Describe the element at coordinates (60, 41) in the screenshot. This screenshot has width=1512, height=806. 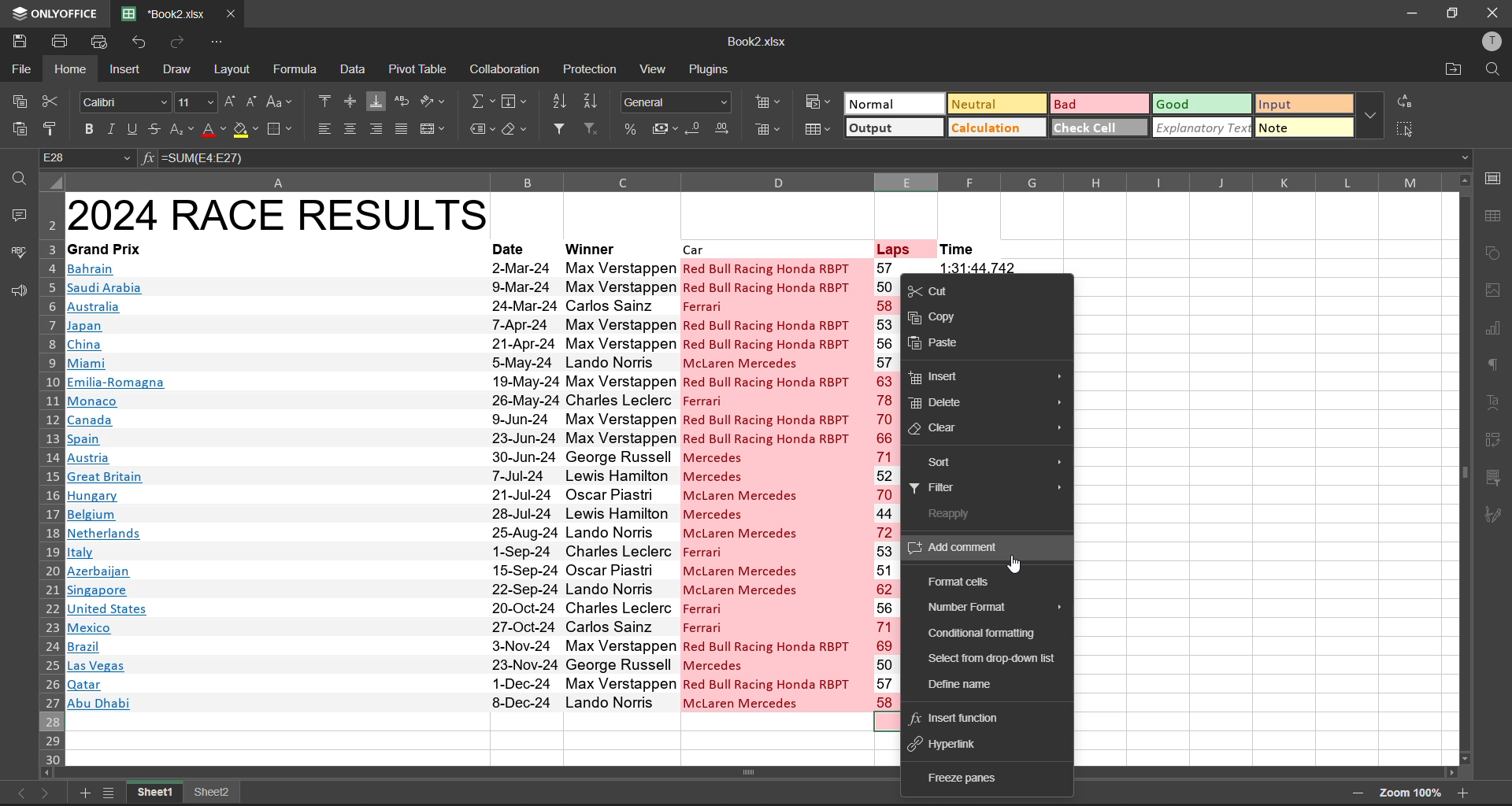
I see `print` at that location.